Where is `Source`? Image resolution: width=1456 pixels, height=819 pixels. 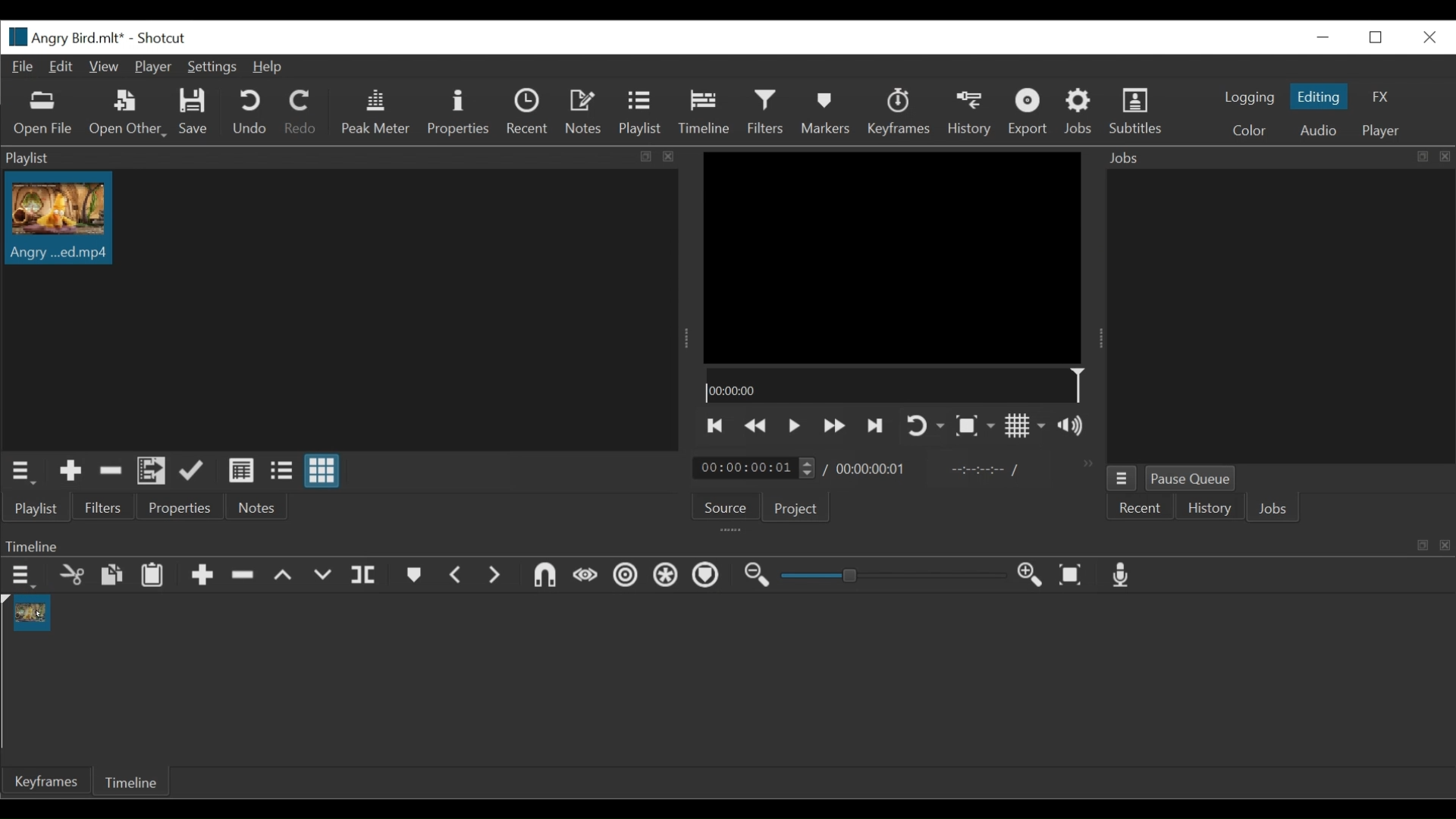 Source is located at coordinates (726, 508).